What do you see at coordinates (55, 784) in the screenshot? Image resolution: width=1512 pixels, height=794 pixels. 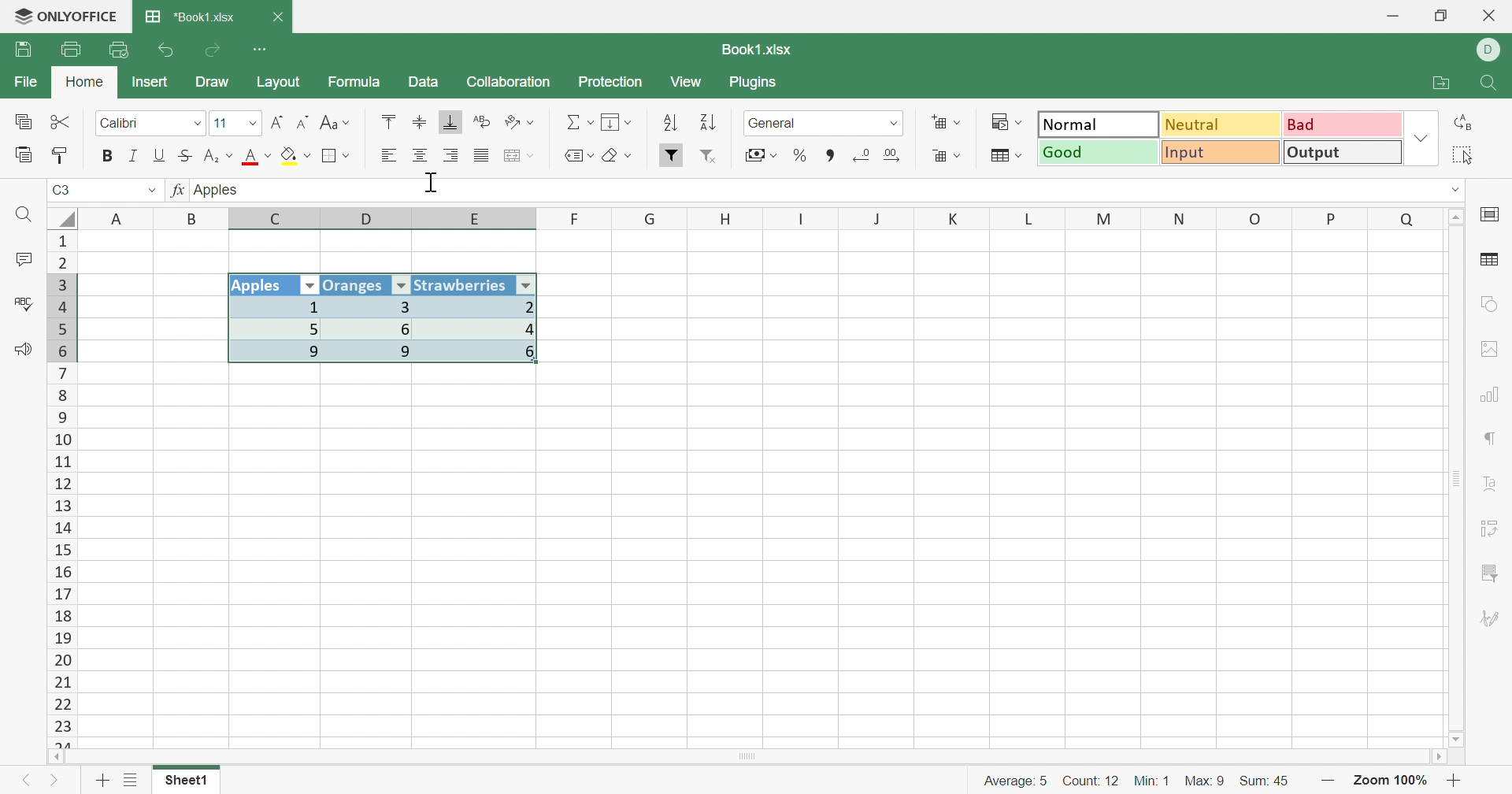 I see `Next` at bounding box center [55, 784].